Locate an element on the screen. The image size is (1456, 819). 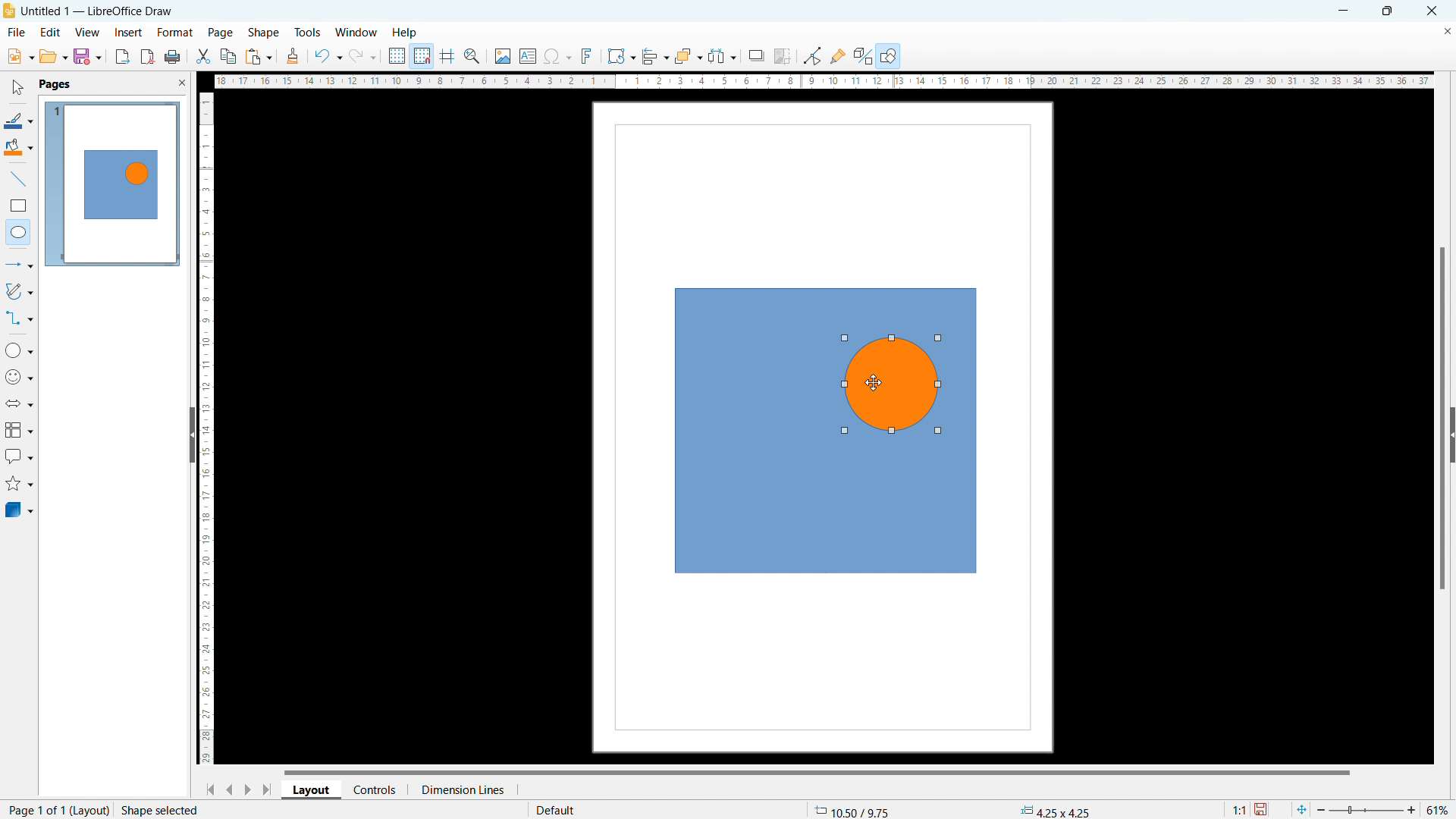
minimize is located at coordinates (1341, 10).